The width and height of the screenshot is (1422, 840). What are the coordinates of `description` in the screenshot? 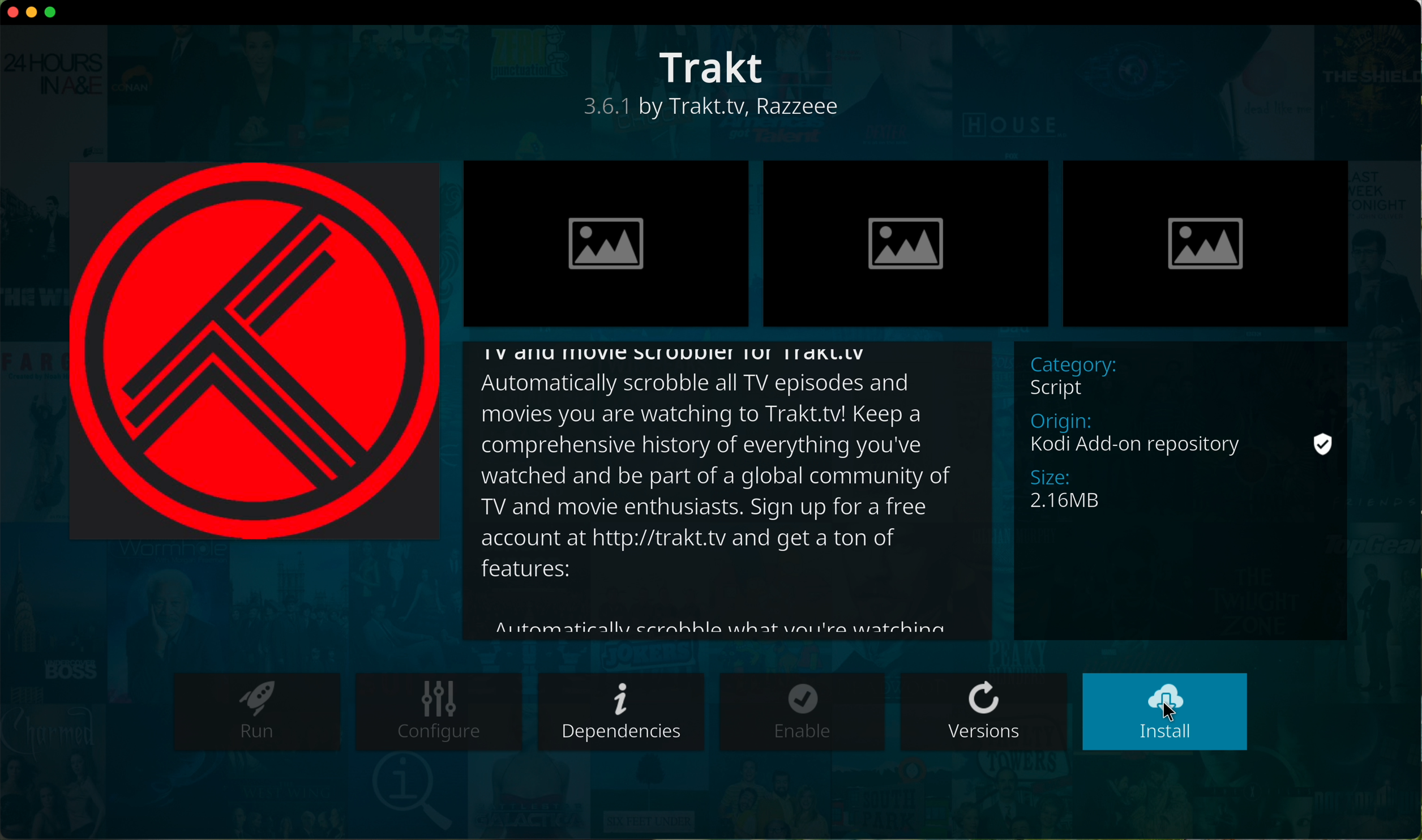 It's located at (725, 489).